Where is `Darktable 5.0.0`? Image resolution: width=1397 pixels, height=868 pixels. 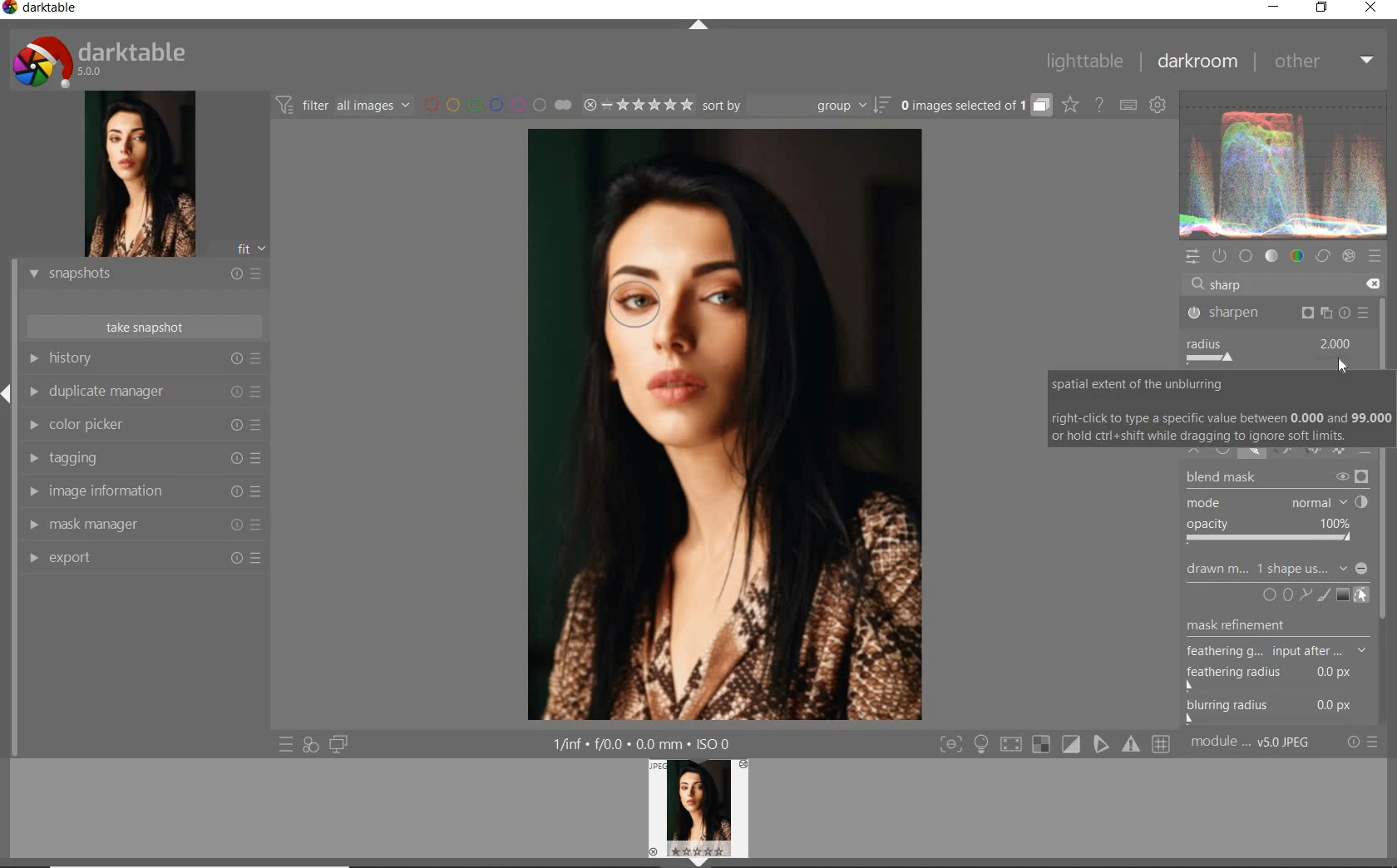 Darktable 5.0.0 is located at coordinates (99, 61).